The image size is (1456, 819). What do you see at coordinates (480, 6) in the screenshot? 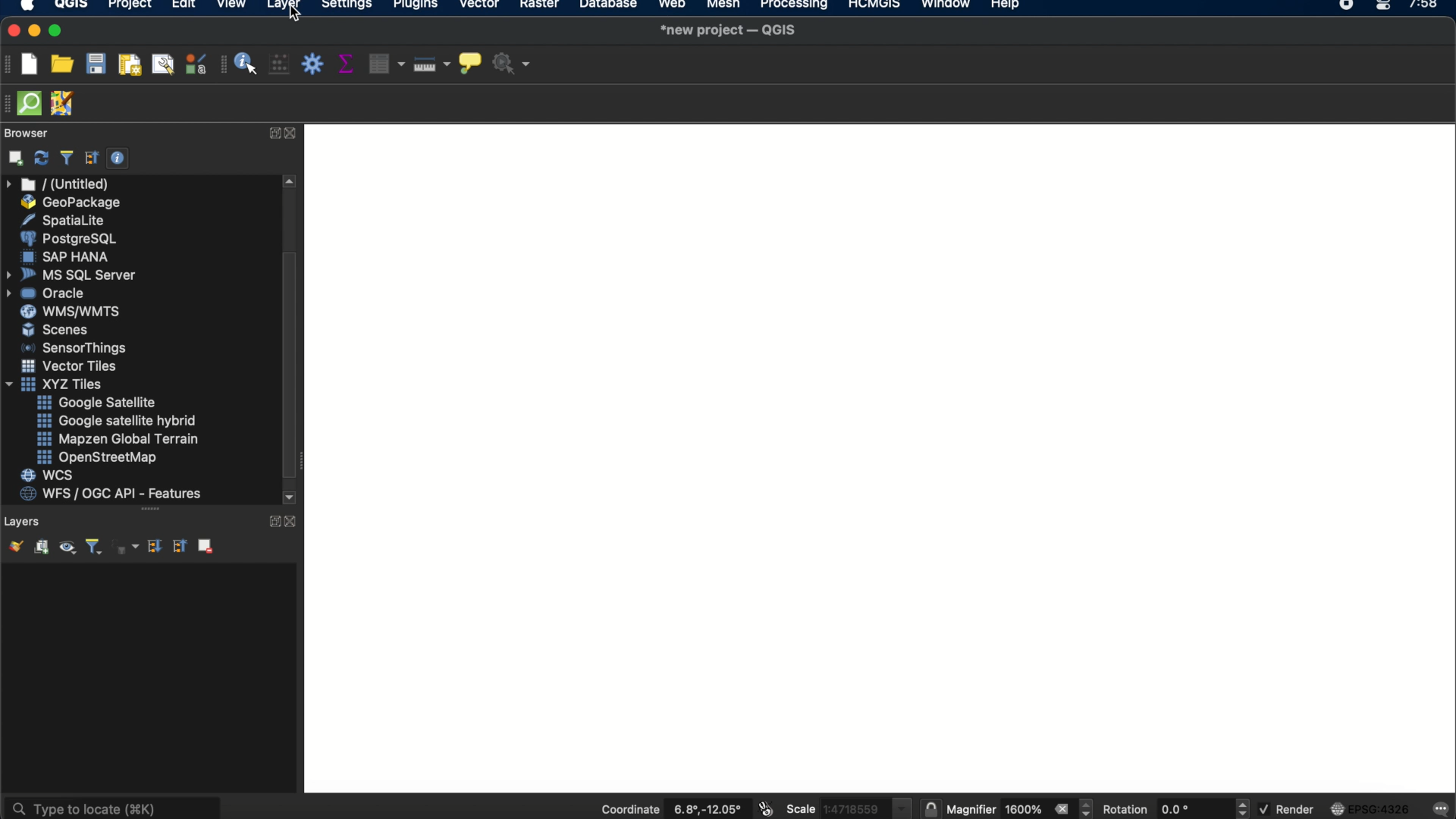
I see `vector` at bounding box center [480, 6].